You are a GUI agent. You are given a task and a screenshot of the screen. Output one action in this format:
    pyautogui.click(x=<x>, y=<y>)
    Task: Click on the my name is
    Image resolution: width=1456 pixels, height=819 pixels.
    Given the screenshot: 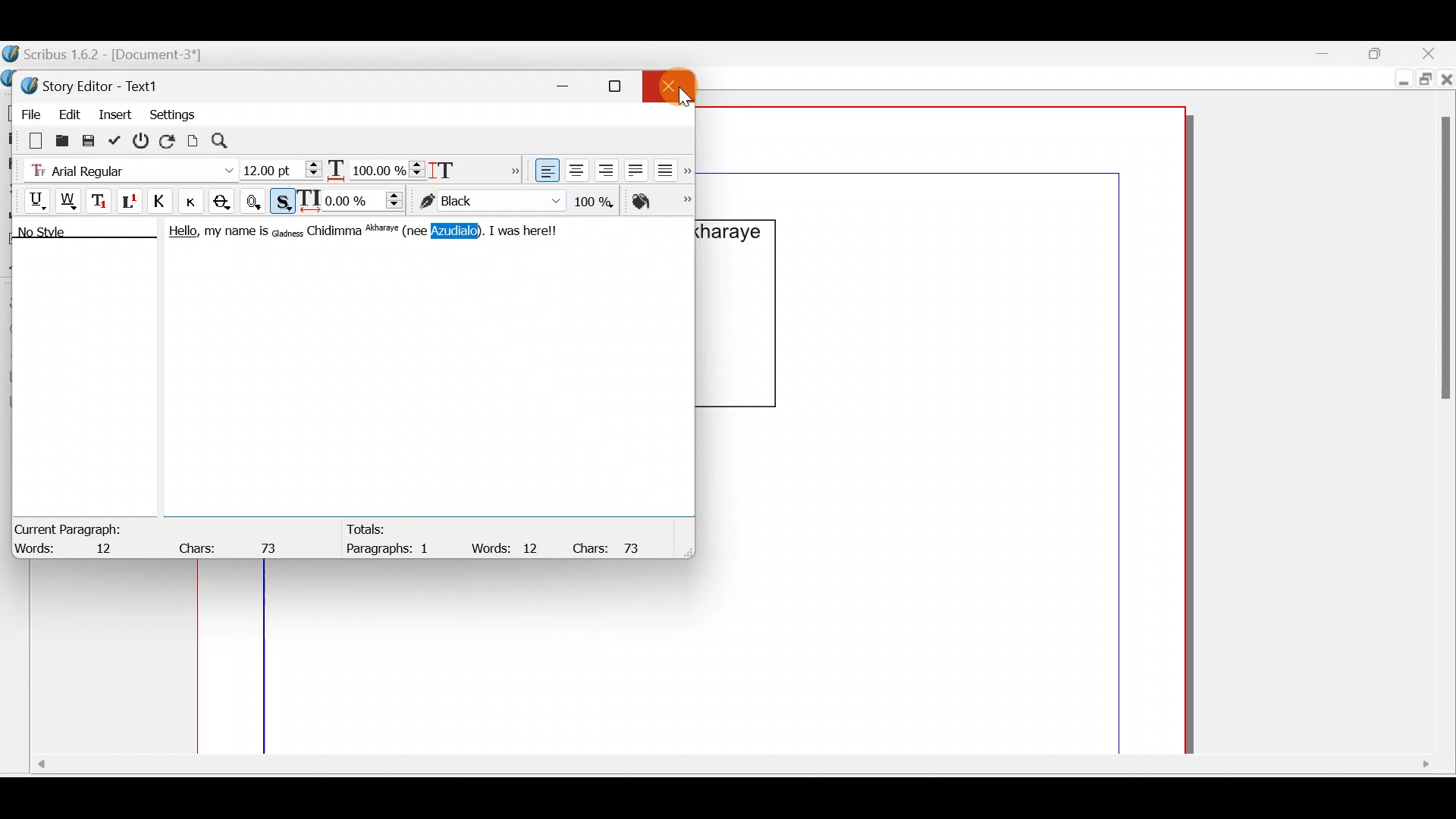 What is the action you would take?
    pyautogui.click(x=235, y=234)
    